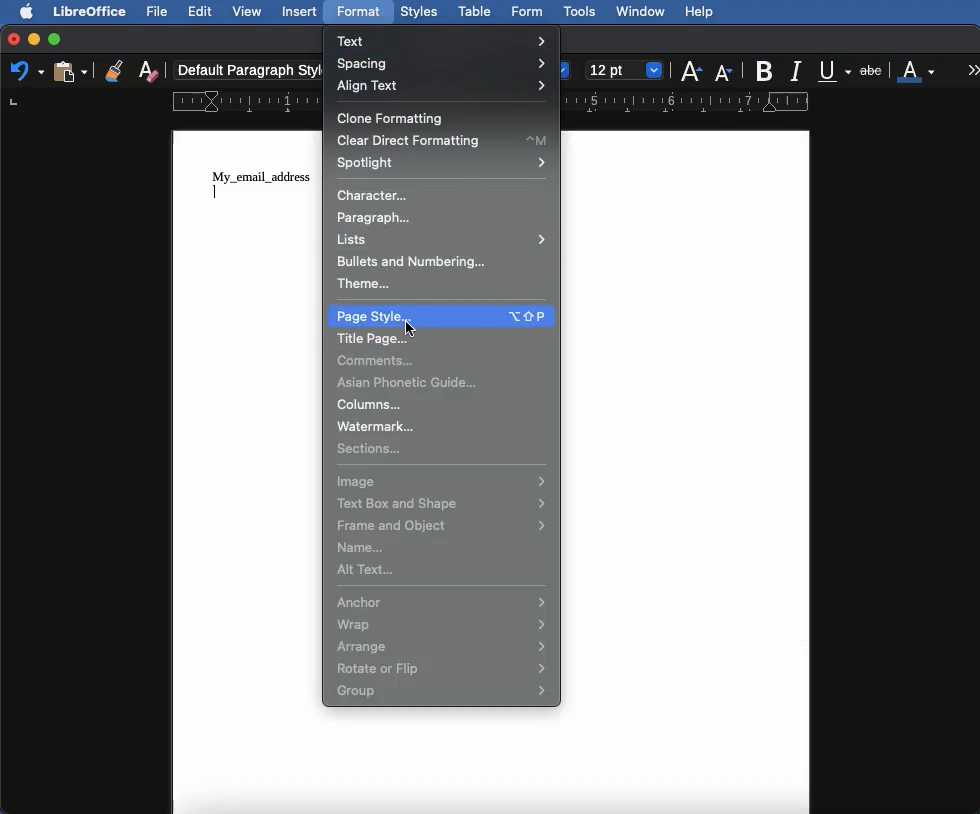  Describe the element at coordinates (70, 70) in the screenshot. I see `Clipboard` at that location.